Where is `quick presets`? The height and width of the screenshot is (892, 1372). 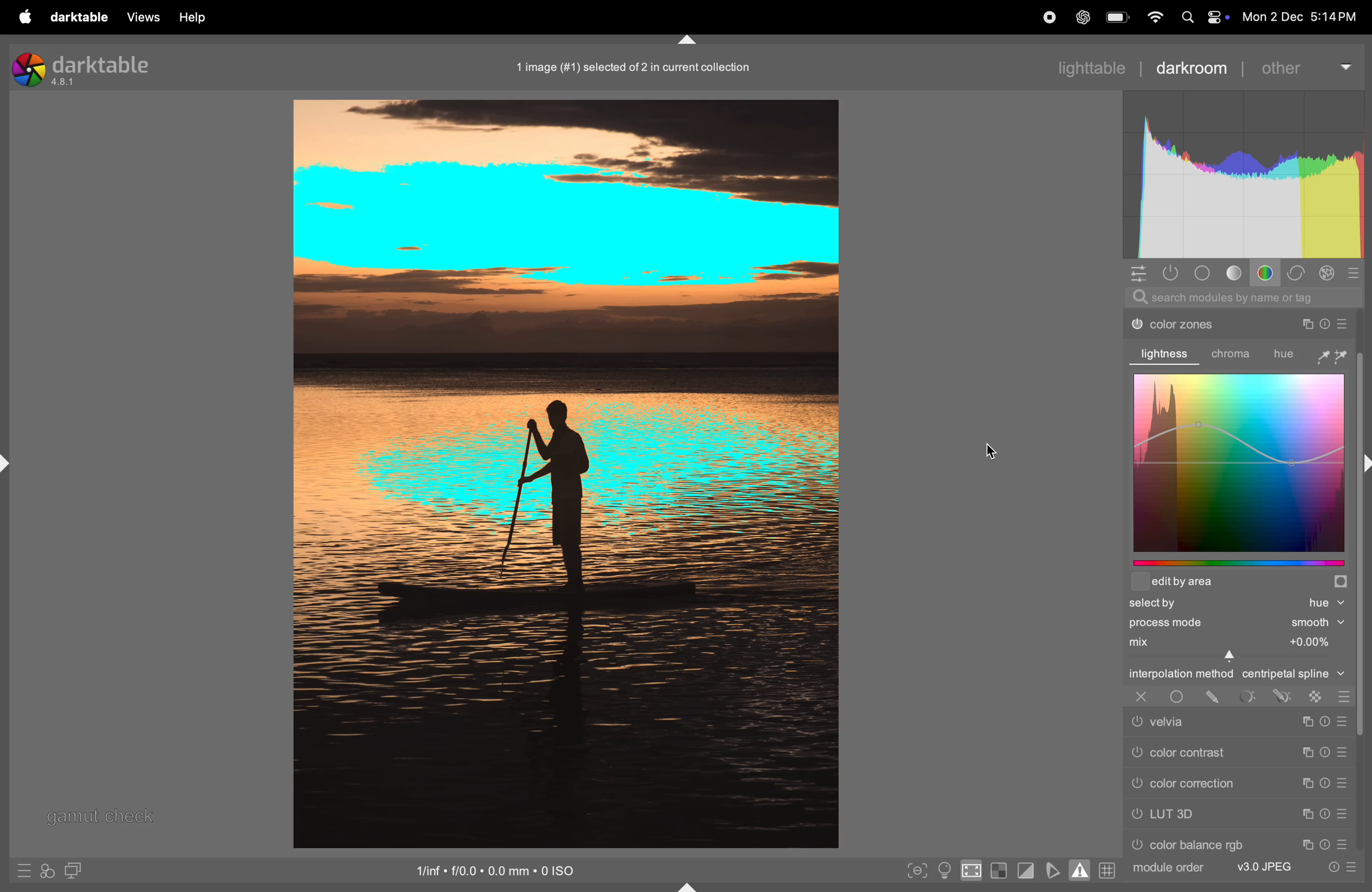 quick presets is located at coordinates (25, 870).